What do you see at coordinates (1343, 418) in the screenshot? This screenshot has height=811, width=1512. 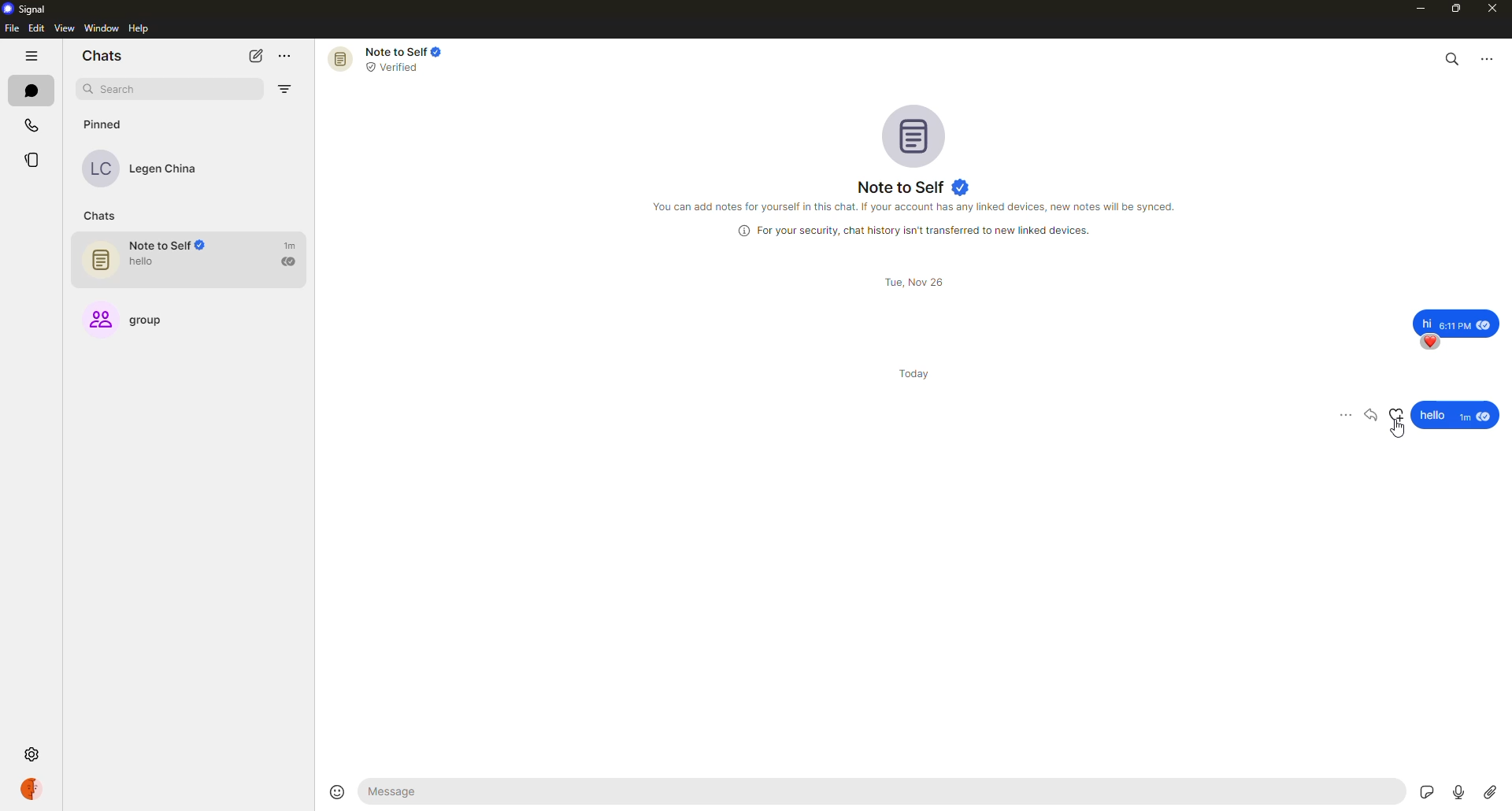 I see `more` at bounding box center [1343, 418].